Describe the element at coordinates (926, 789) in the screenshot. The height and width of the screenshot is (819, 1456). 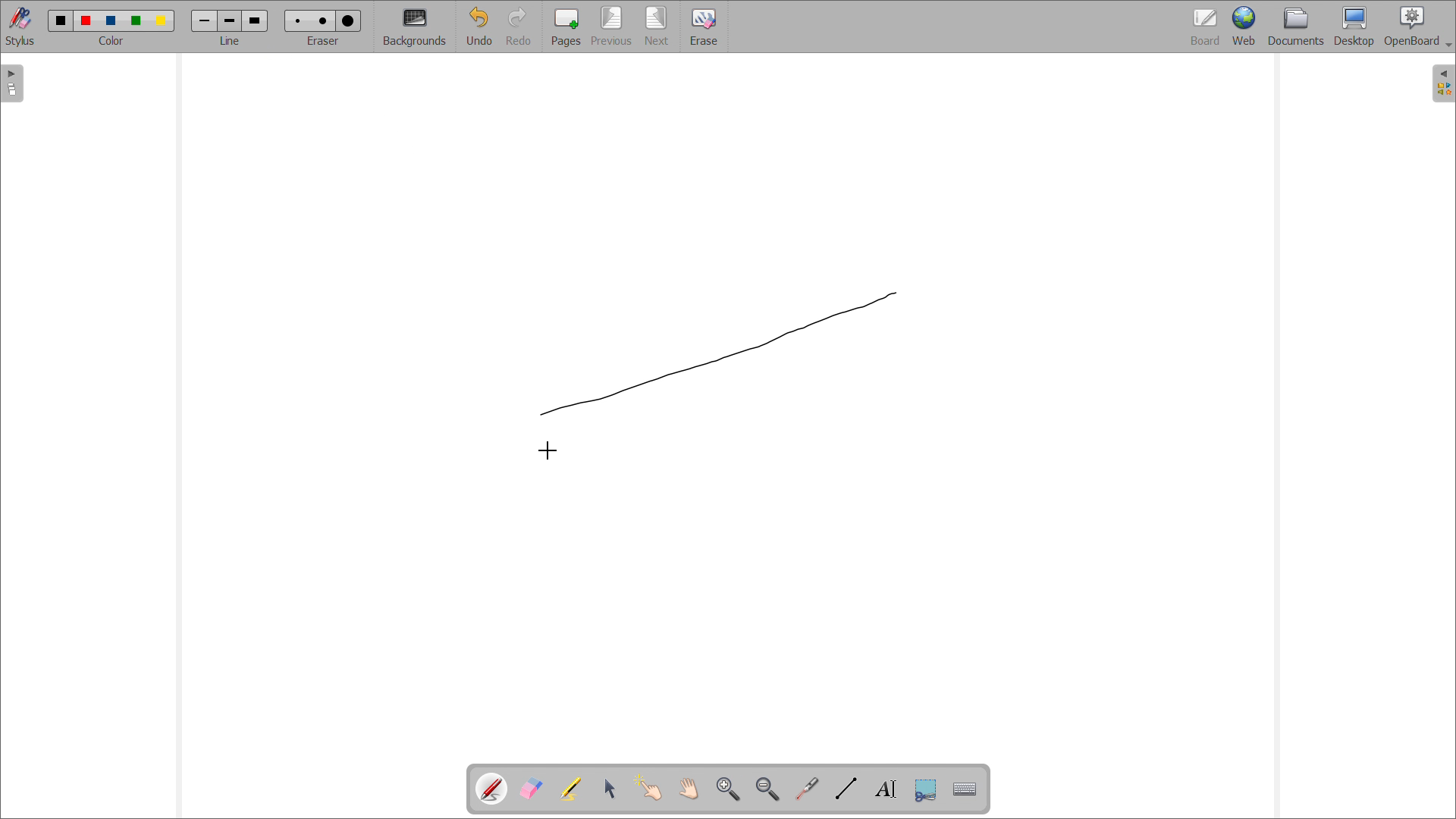
I see `capture part of the screen` at that location.